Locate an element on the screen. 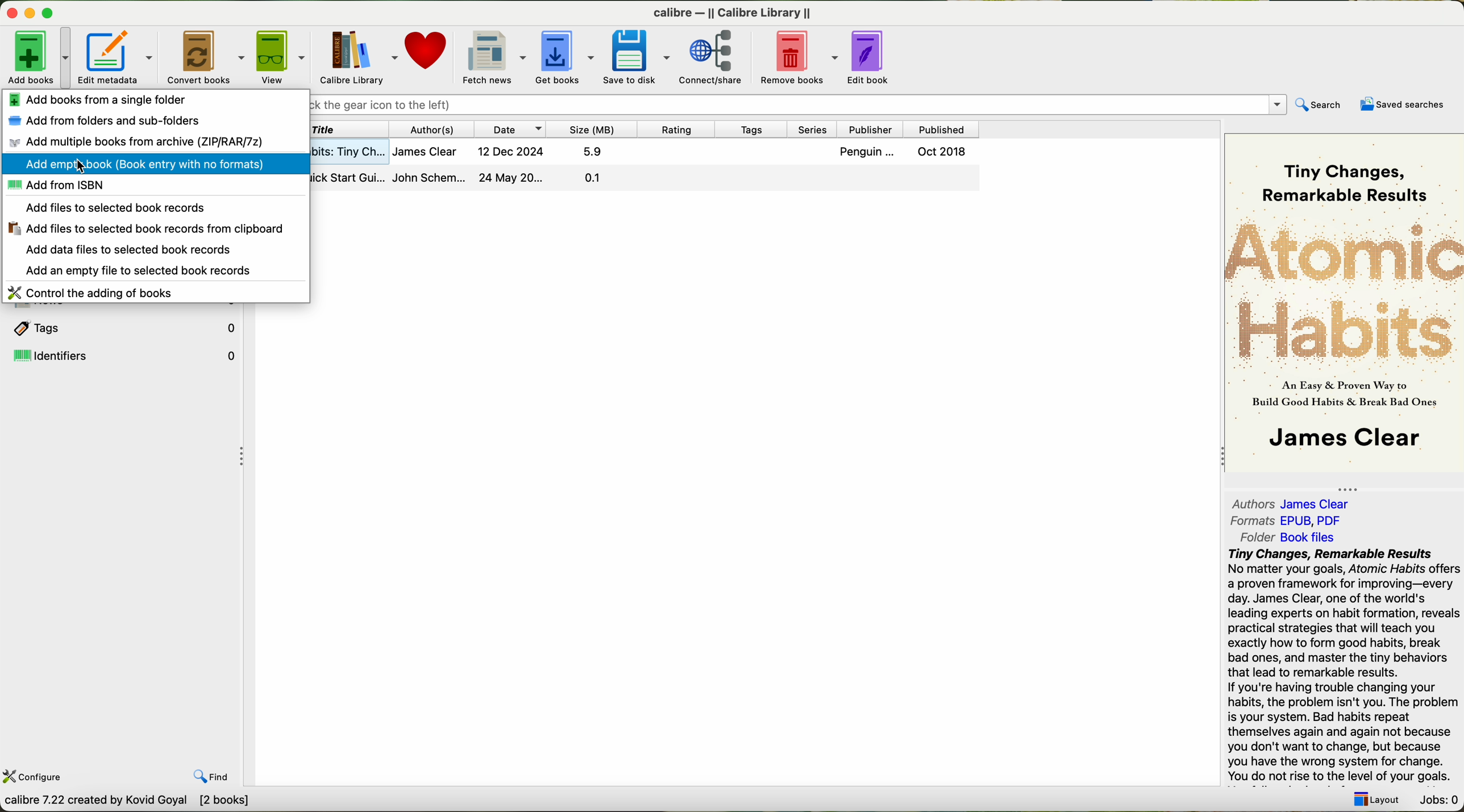 The width and height of the screenshot is (1464, 812). view is located at coordinates (279, 56).